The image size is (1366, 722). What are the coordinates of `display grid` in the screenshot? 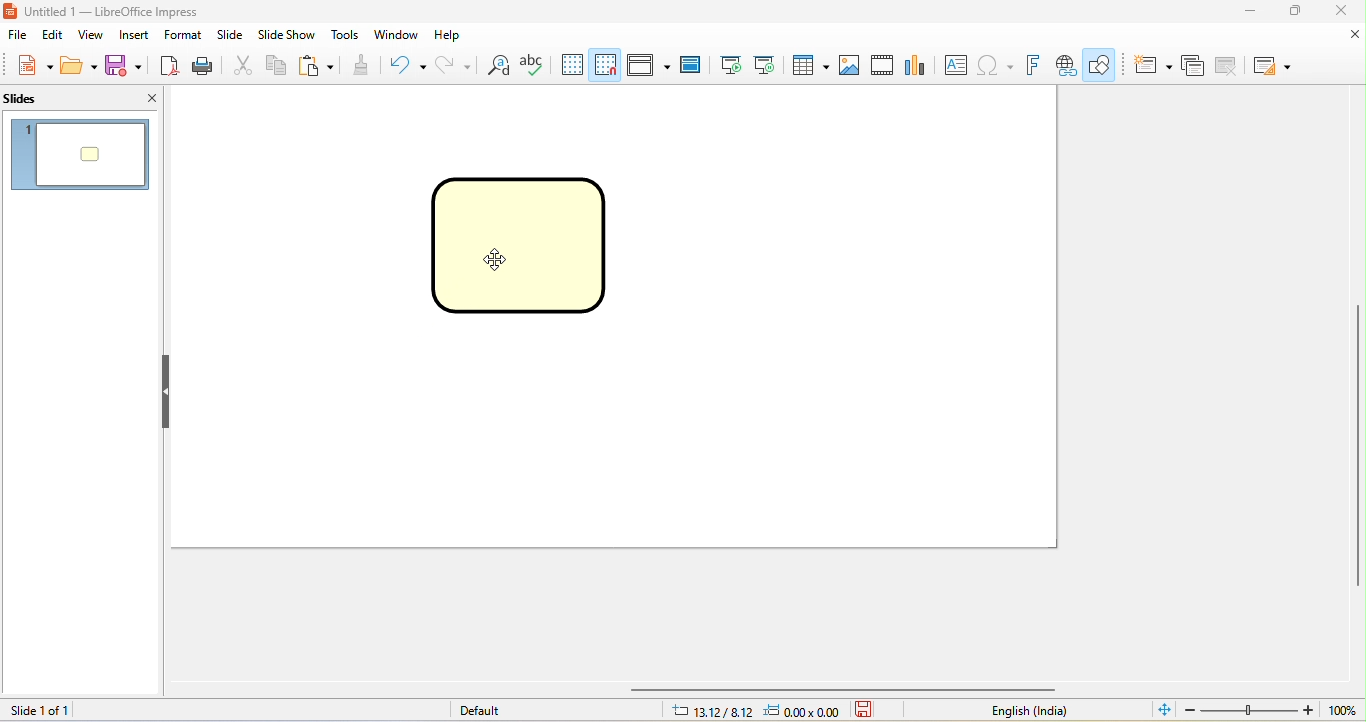 It's located at (572, 63).